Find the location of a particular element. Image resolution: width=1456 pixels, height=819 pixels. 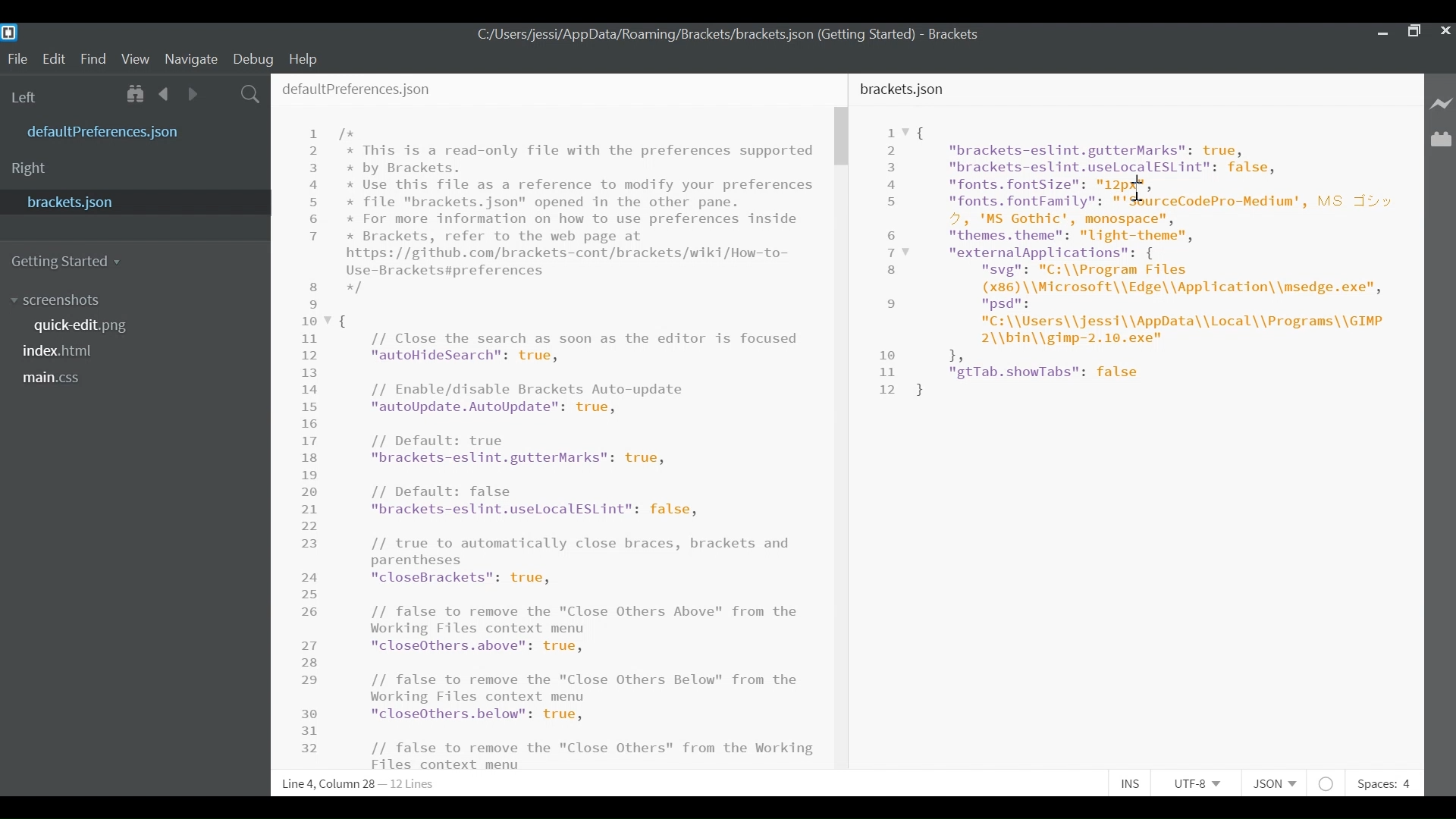

main.css is located at coordinates (57, 379).